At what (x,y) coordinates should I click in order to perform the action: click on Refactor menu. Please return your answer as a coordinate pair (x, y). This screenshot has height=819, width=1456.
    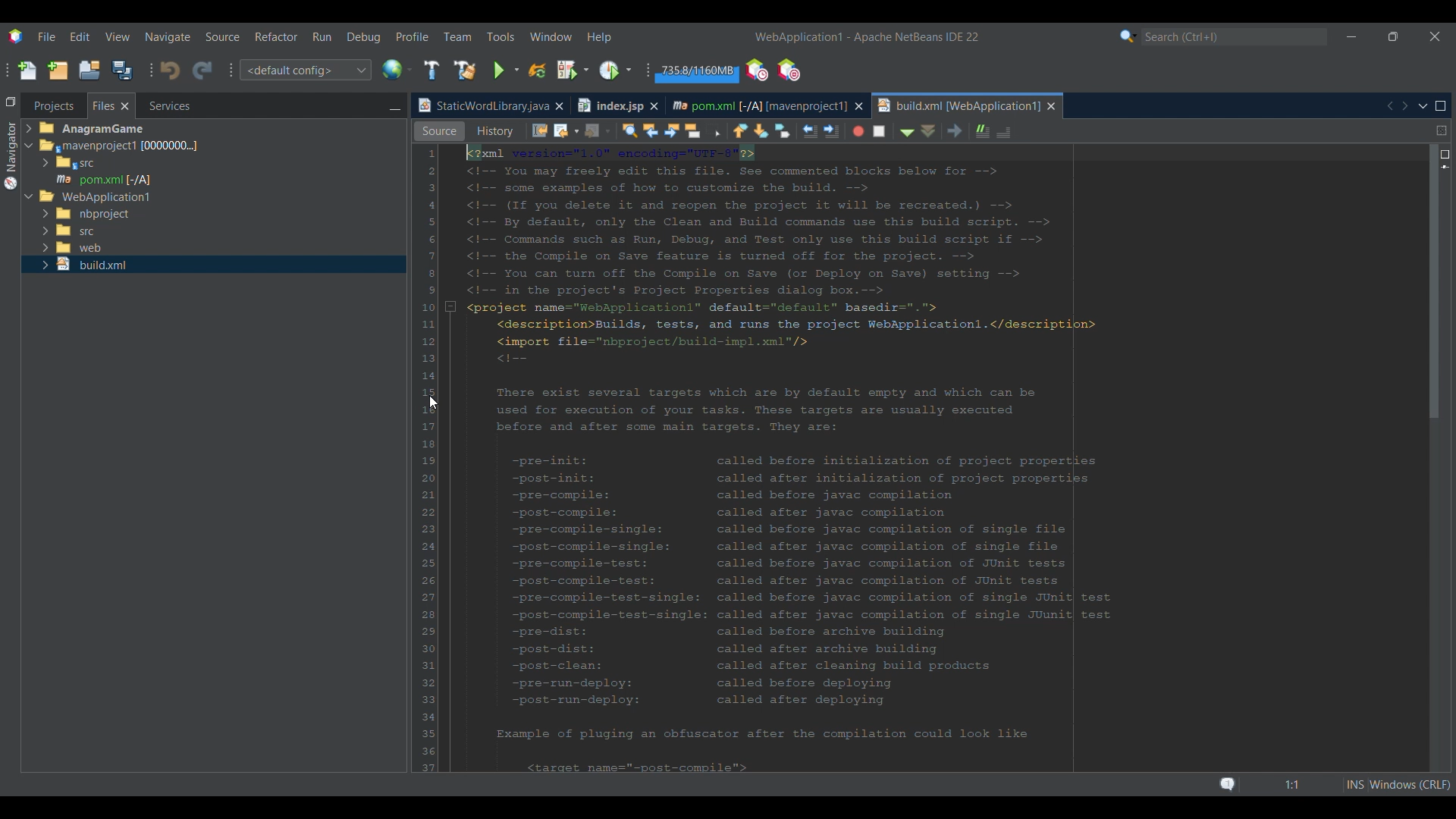
    Looking at the image, I should click on (275, 36).